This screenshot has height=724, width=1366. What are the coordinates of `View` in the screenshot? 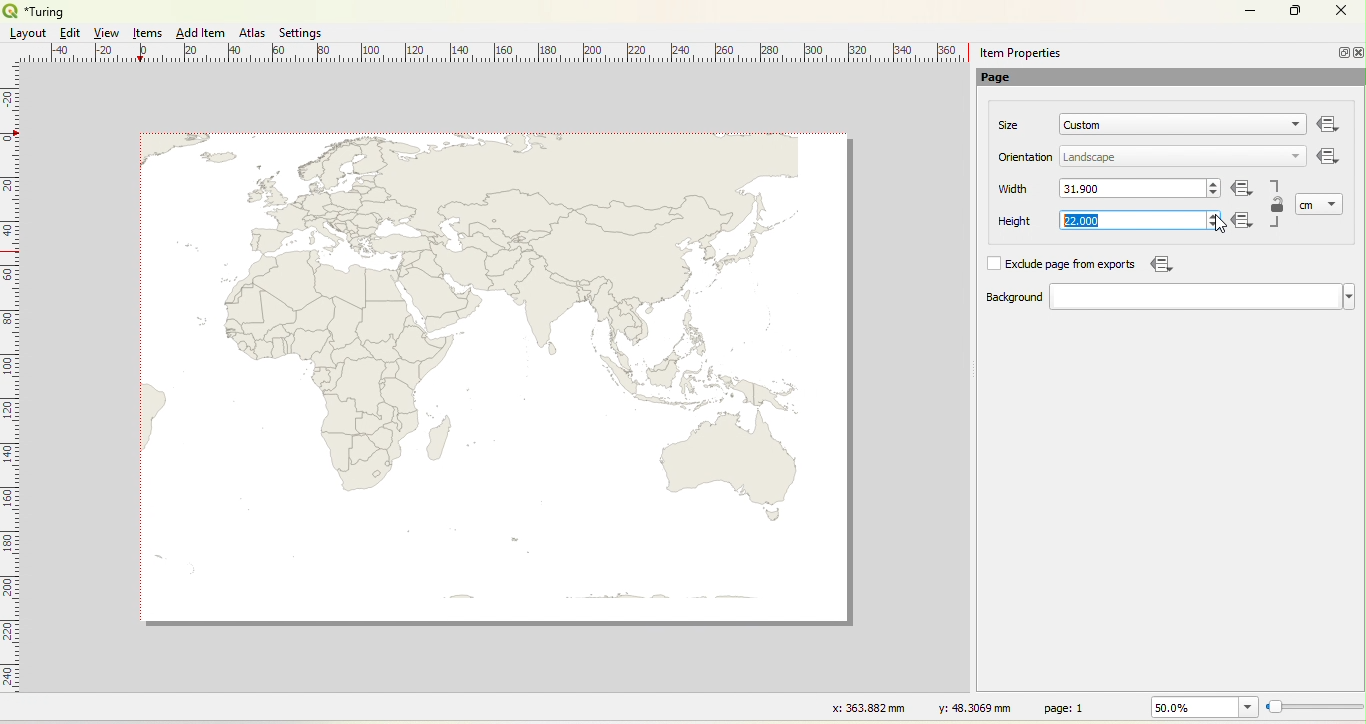 It's located at (108, 33).